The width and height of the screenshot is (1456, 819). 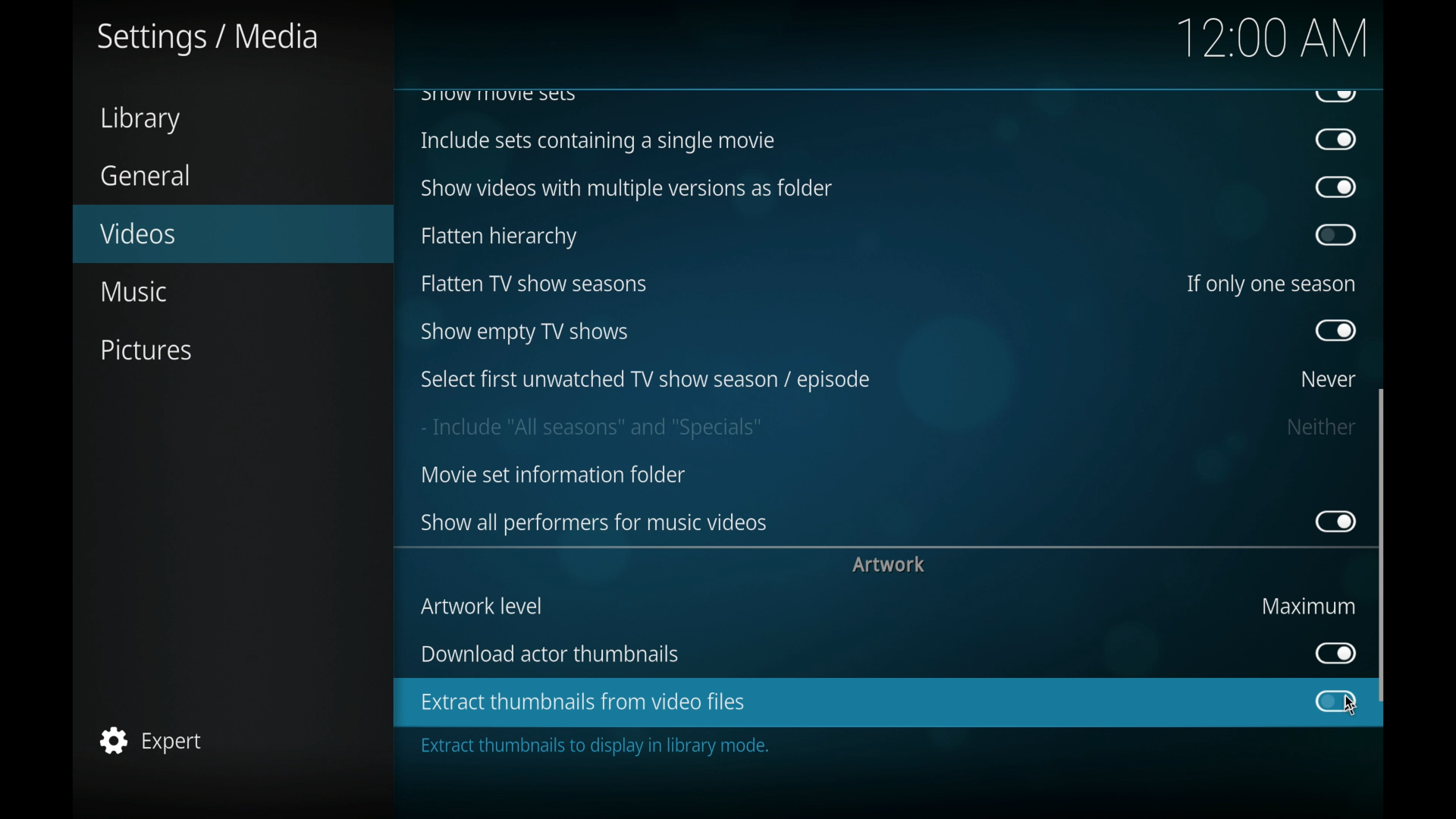 What do you see at coordinates (1351, 704) in the screenshot?
I see `cursor` at bounding box center [1351, 704].